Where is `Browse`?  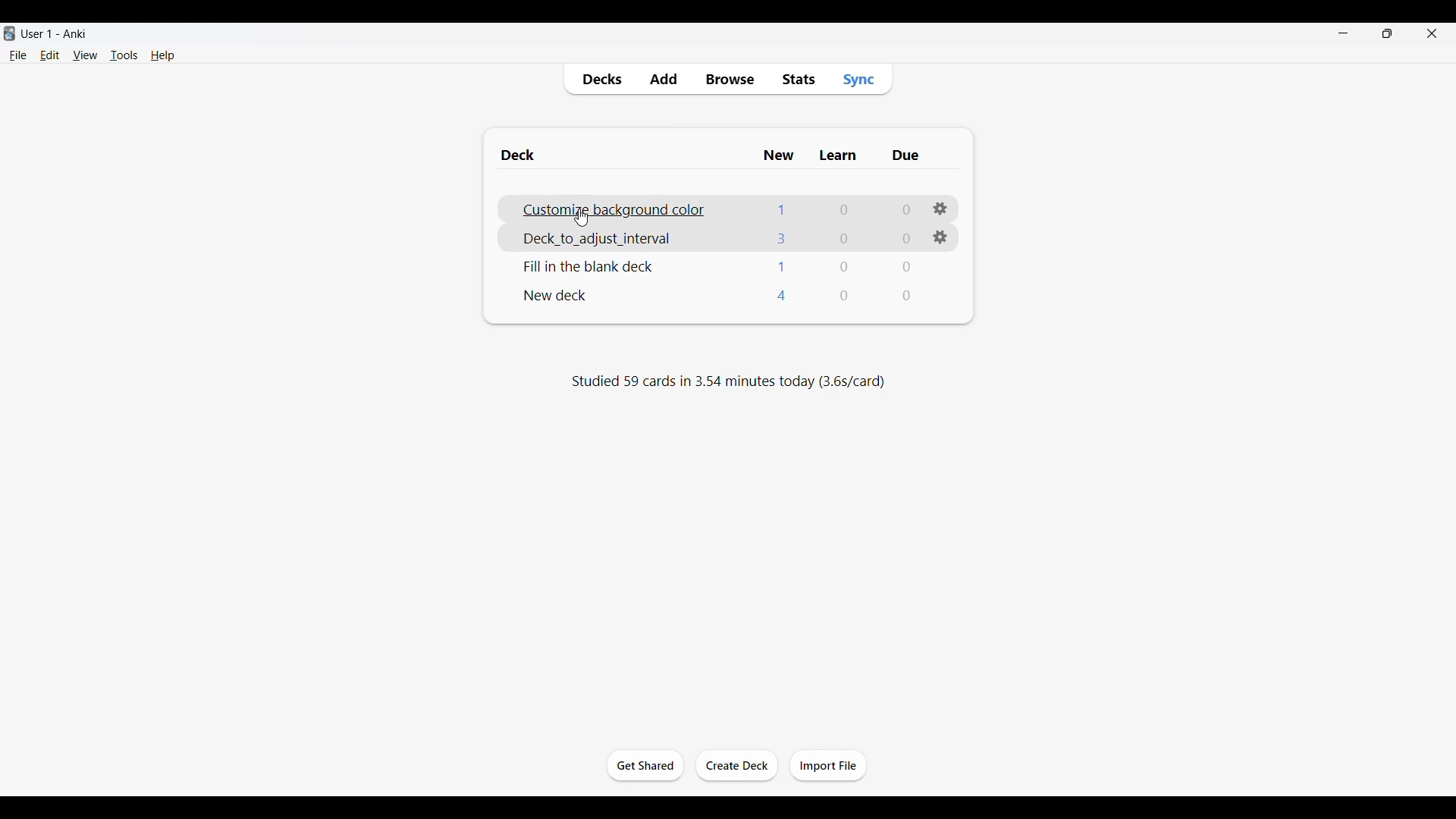
Browse is located at coordinates (729, 80).